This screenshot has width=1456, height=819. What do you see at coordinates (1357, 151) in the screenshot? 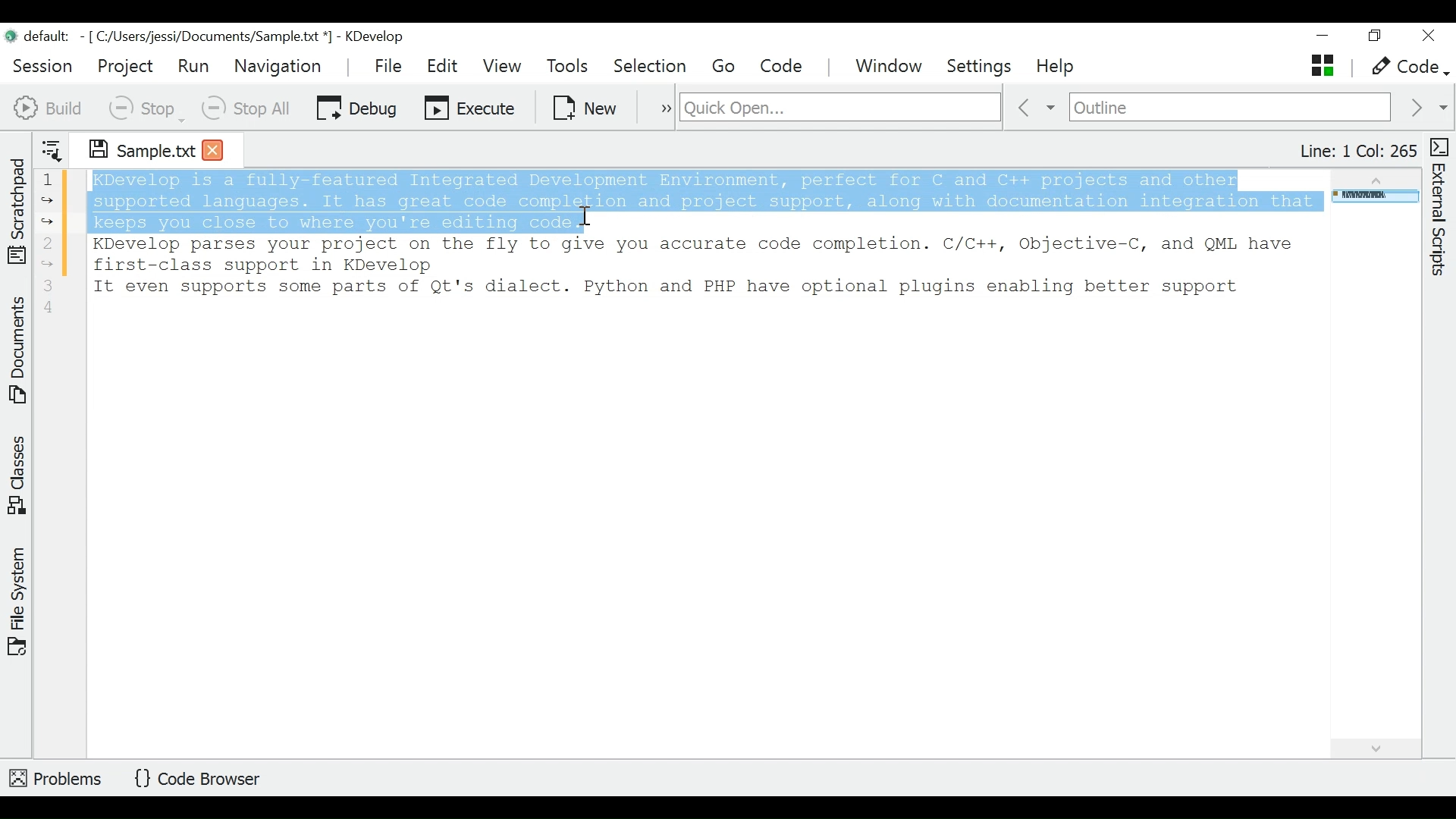
I see `Line: 1 Col: 265` at bounding box center [1357, 151].